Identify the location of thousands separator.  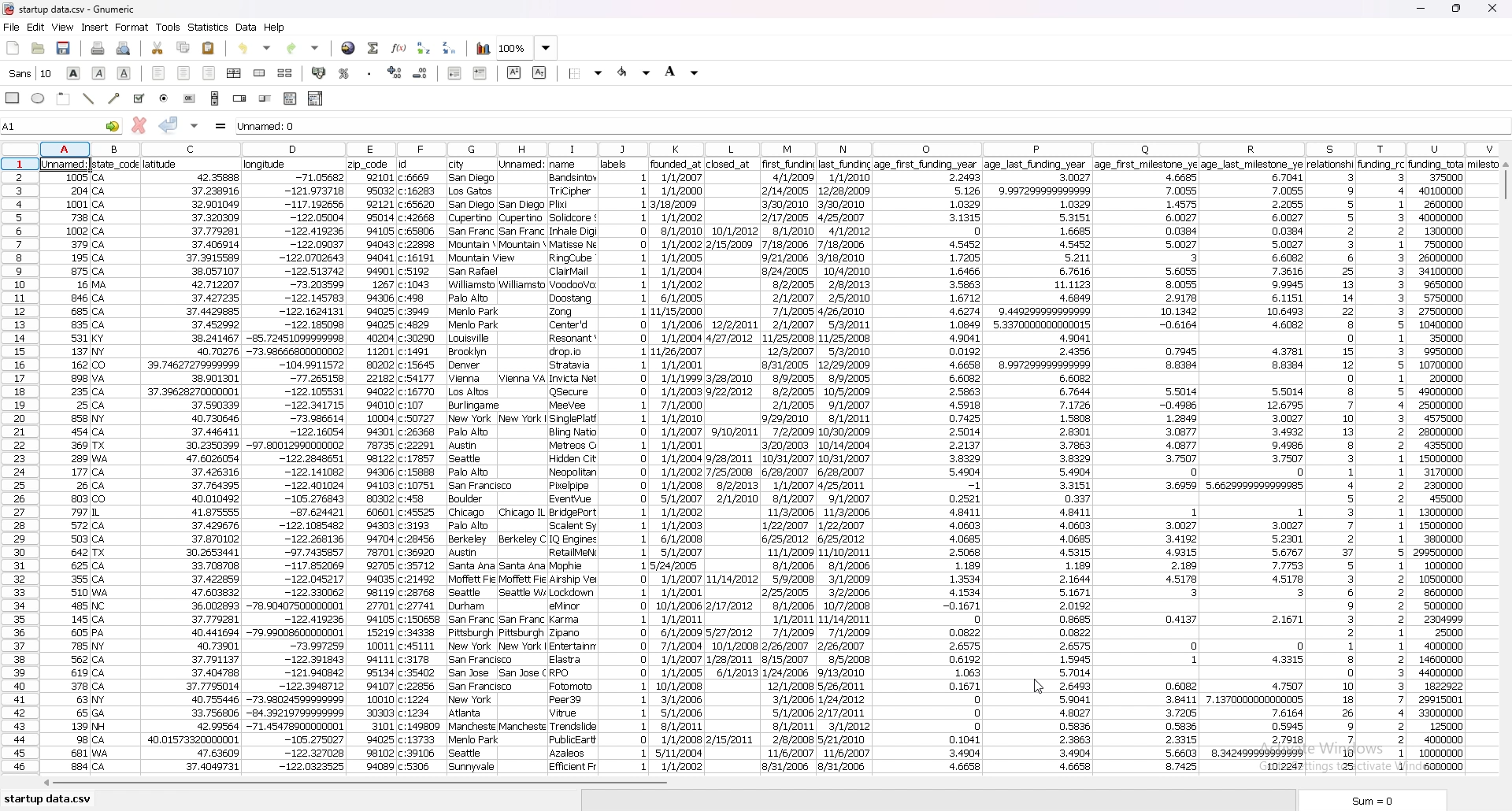
(369, 71).